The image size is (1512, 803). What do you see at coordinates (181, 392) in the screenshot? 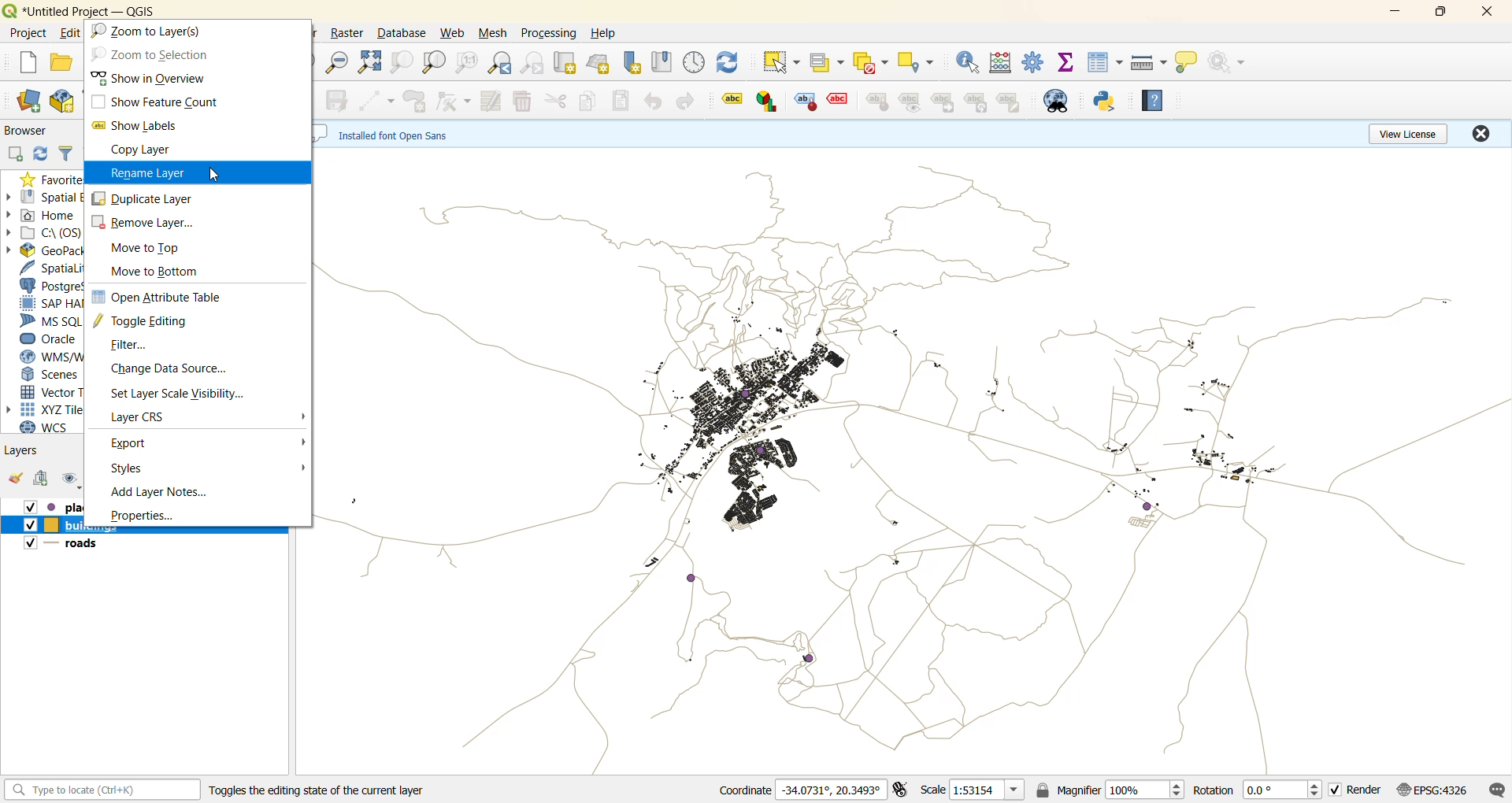
I see `set layer scale visibility` at bounding box center [181, 392].